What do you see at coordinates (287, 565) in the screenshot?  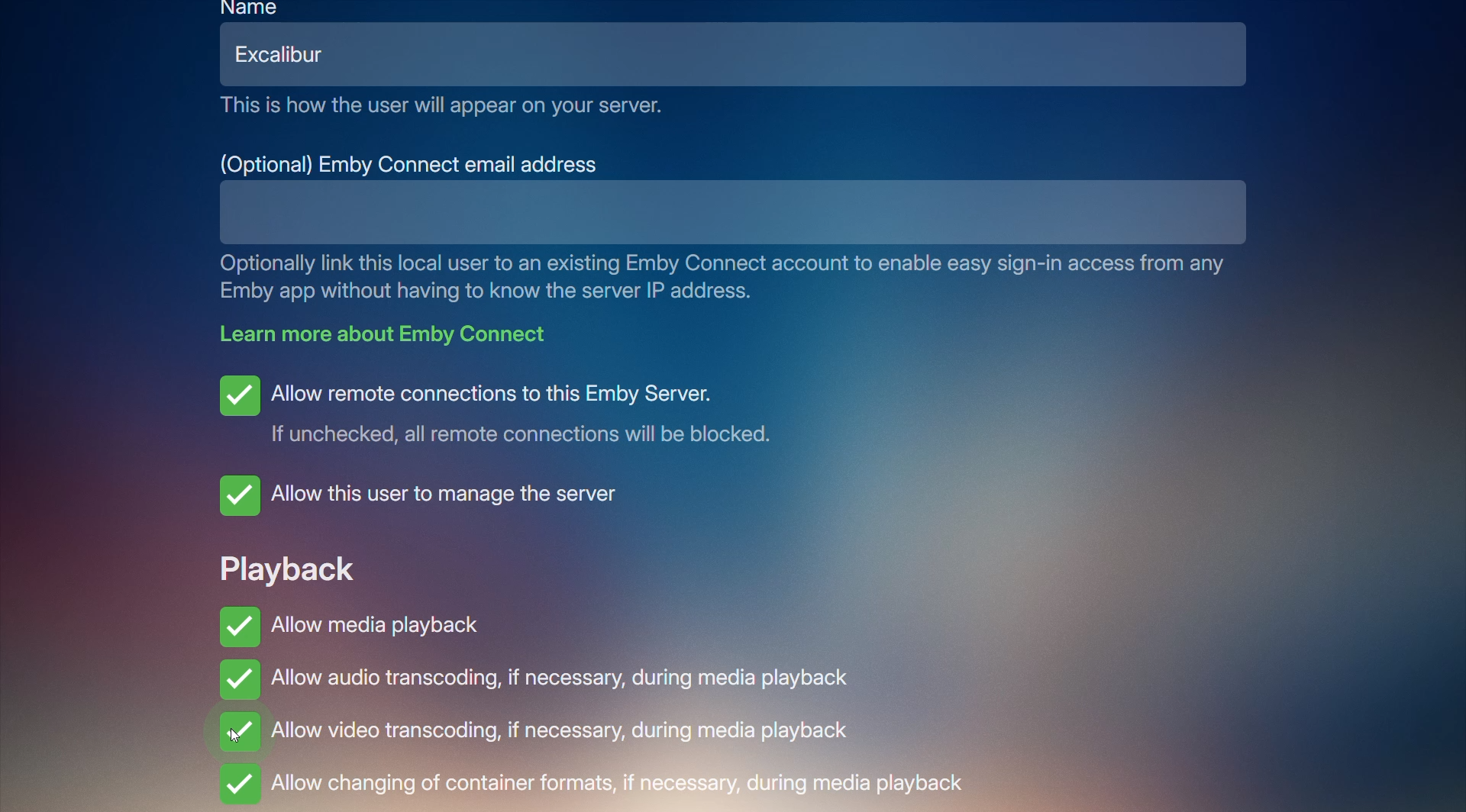 I see `Playback` at bounding box center [287, 565].